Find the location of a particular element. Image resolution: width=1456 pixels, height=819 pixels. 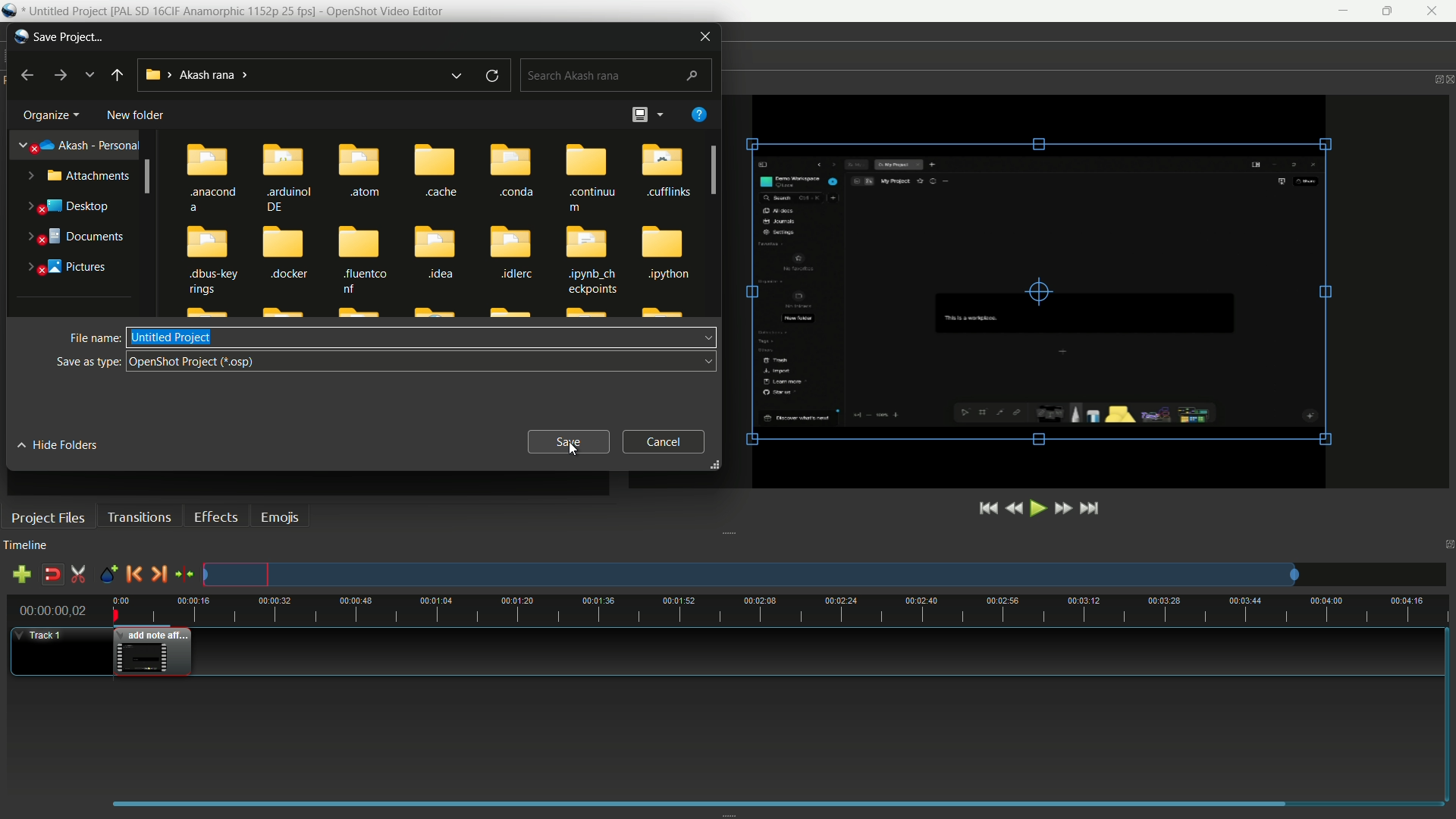

video preview is located at coordinates (1037, 290).